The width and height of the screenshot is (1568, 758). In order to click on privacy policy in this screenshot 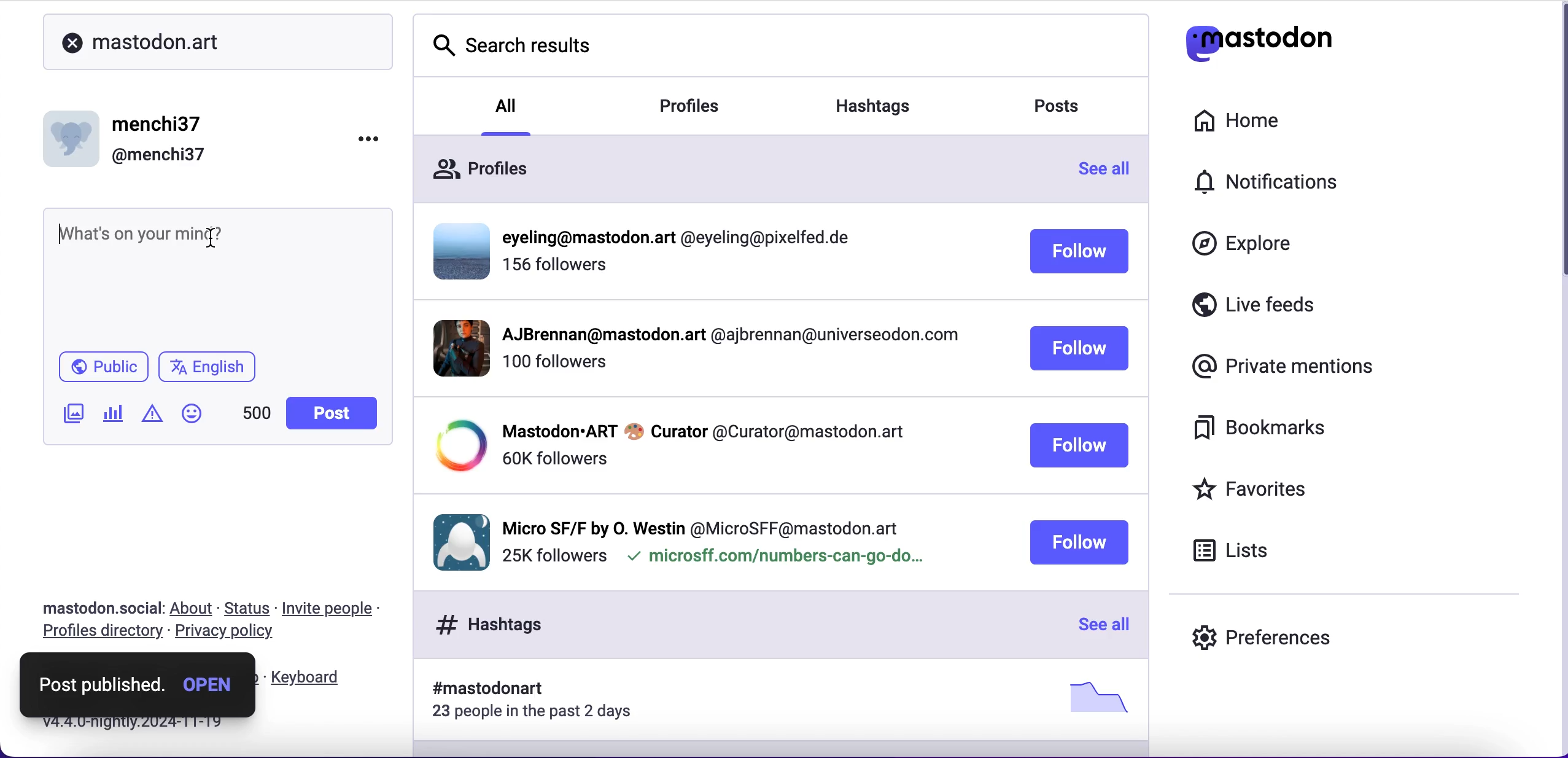, I will do `click(230, 634)`.